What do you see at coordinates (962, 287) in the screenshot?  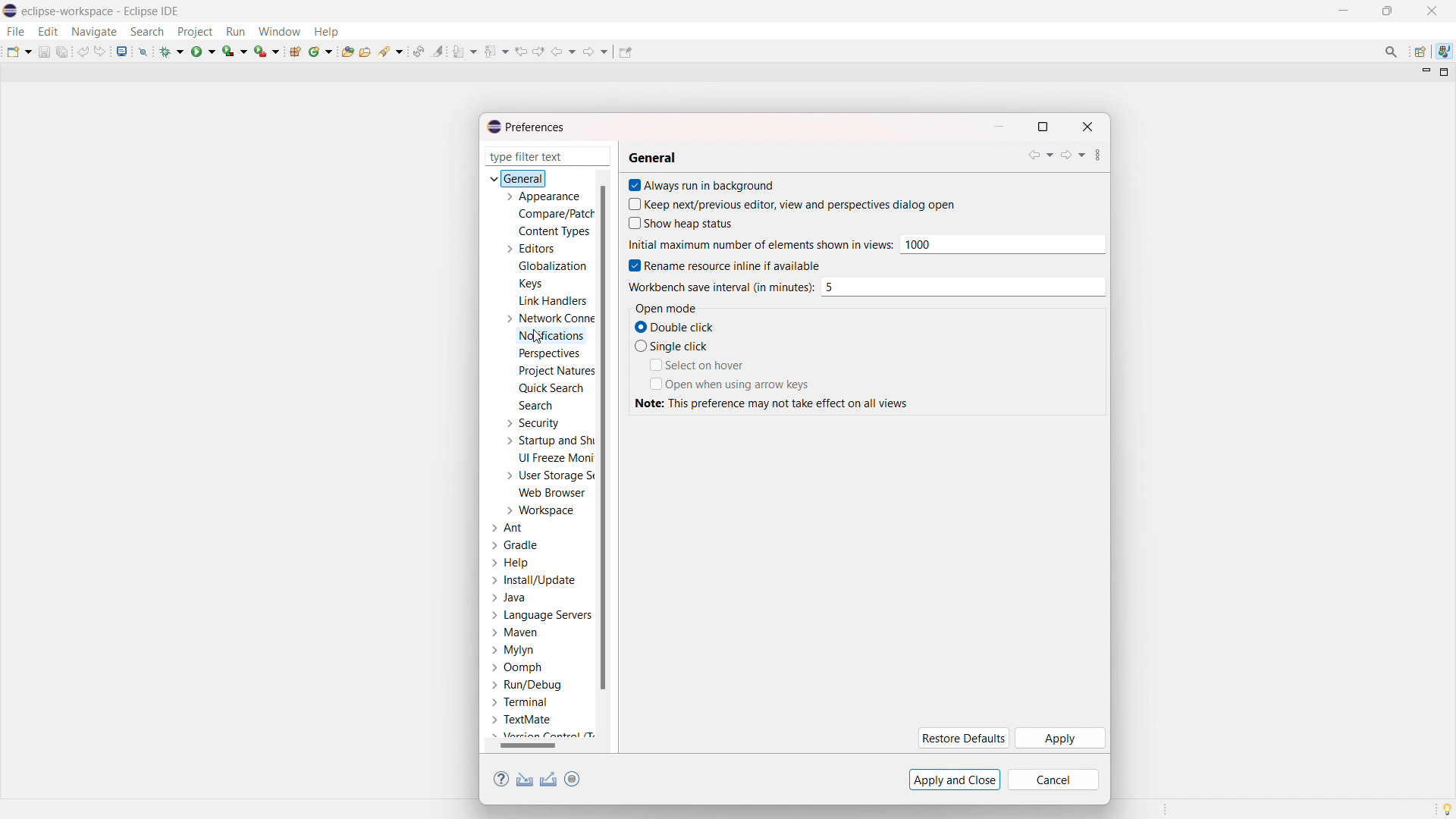 I see `workbench save interval (in minutes)` at bounding box center [962, 287].